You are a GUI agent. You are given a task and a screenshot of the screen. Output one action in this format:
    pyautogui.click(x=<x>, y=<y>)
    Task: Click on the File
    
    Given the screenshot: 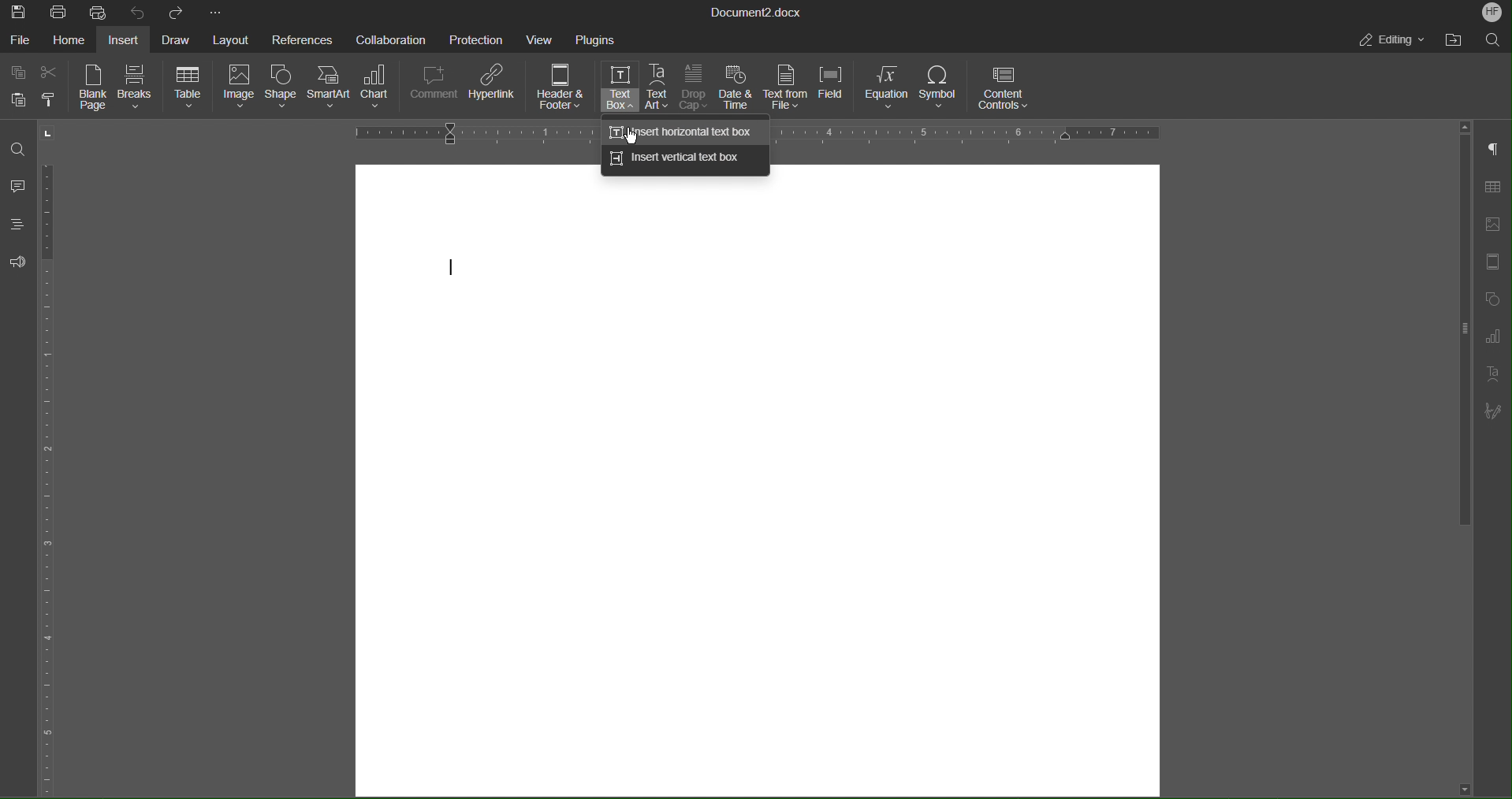 What is the action you would take?
    pyautogui.click(x=20, y=38)
    